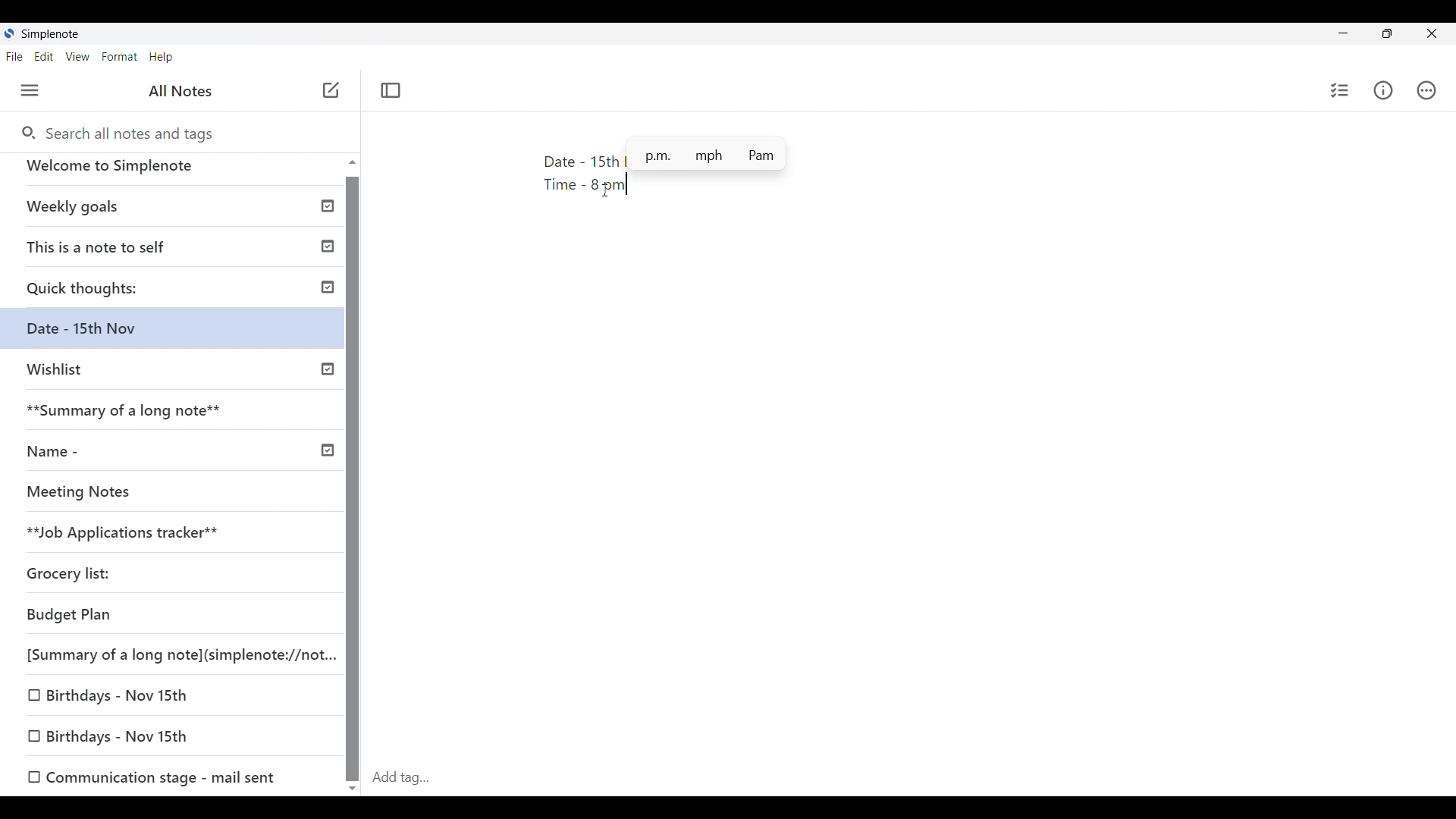 This screenshot has width=1456, height=819. What do you see at coordinates (116, 132) in the screenshot?
I see `Search all notes and tags` at bounding box center [116, 132].